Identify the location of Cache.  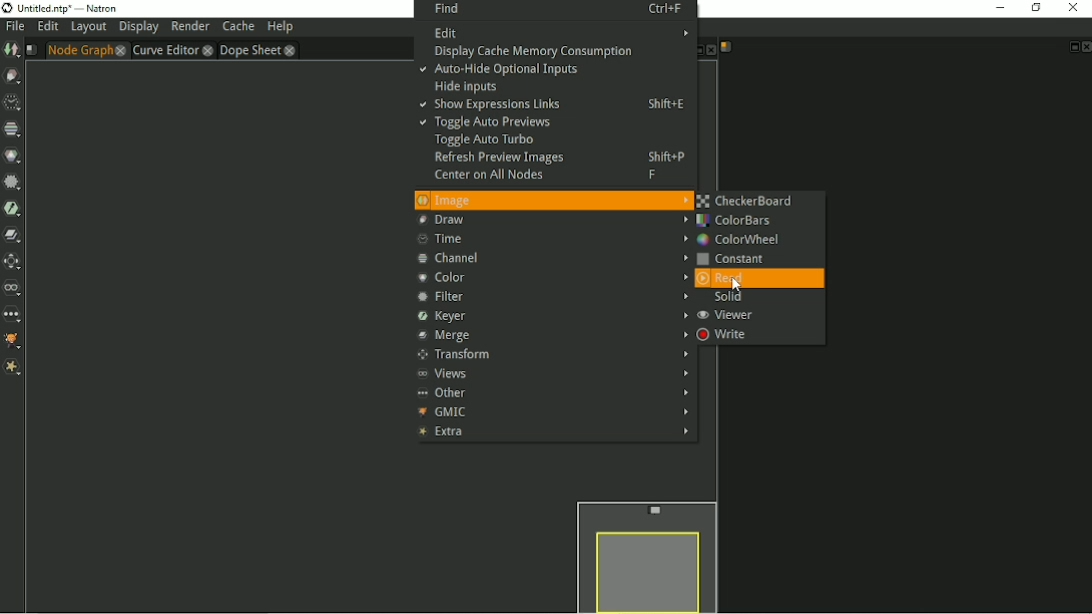
(238, 27).